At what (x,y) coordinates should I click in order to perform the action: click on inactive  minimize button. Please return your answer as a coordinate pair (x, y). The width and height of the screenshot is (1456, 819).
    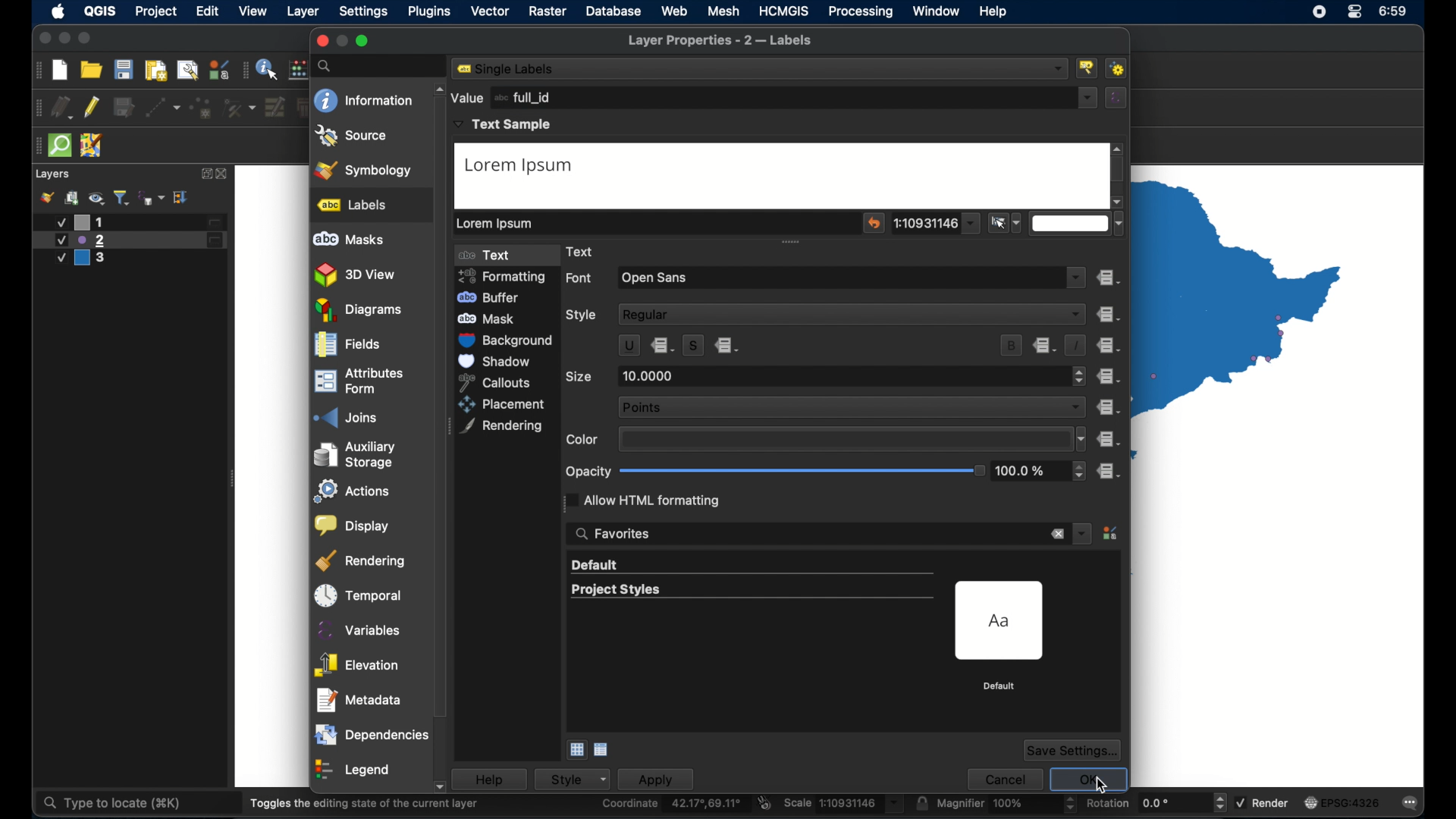
    Looking at the image, I should click on (342, 41).